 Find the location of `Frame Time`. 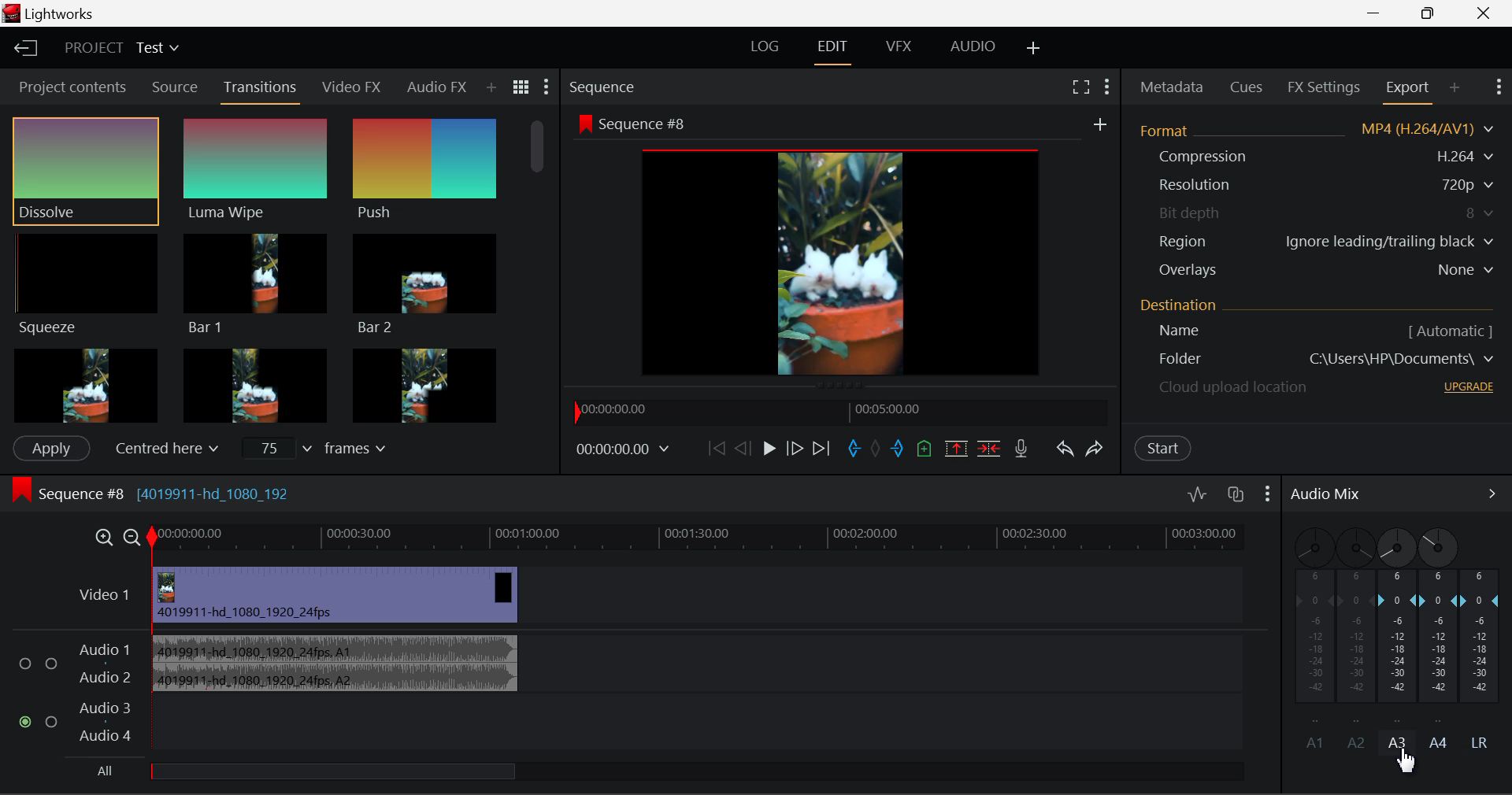

Frame Time is located at coordinates (625, 449).